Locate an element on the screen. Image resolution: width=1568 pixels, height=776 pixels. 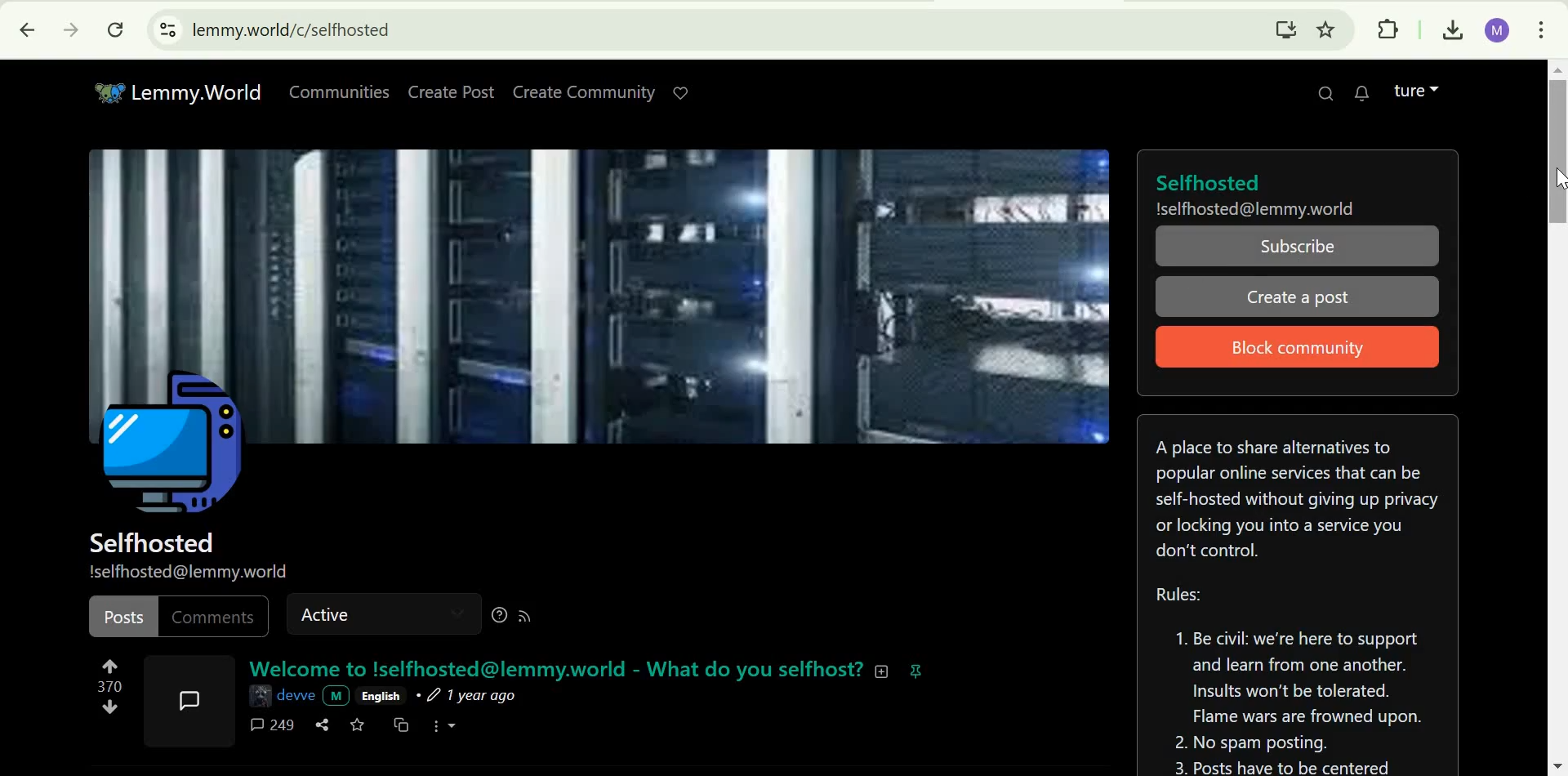
Google account is located at coordinates (1499, 31).